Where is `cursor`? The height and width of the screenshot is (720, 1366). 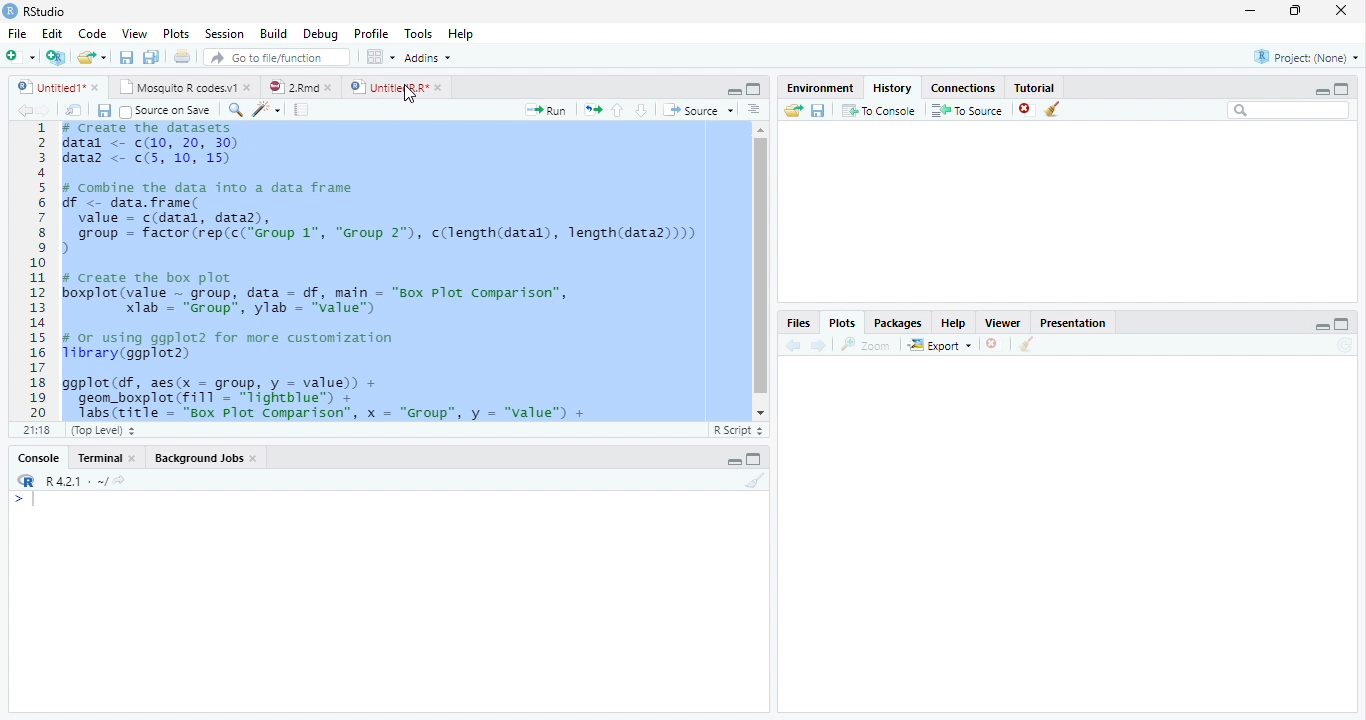
cursor is located at coordinates (410, 94).